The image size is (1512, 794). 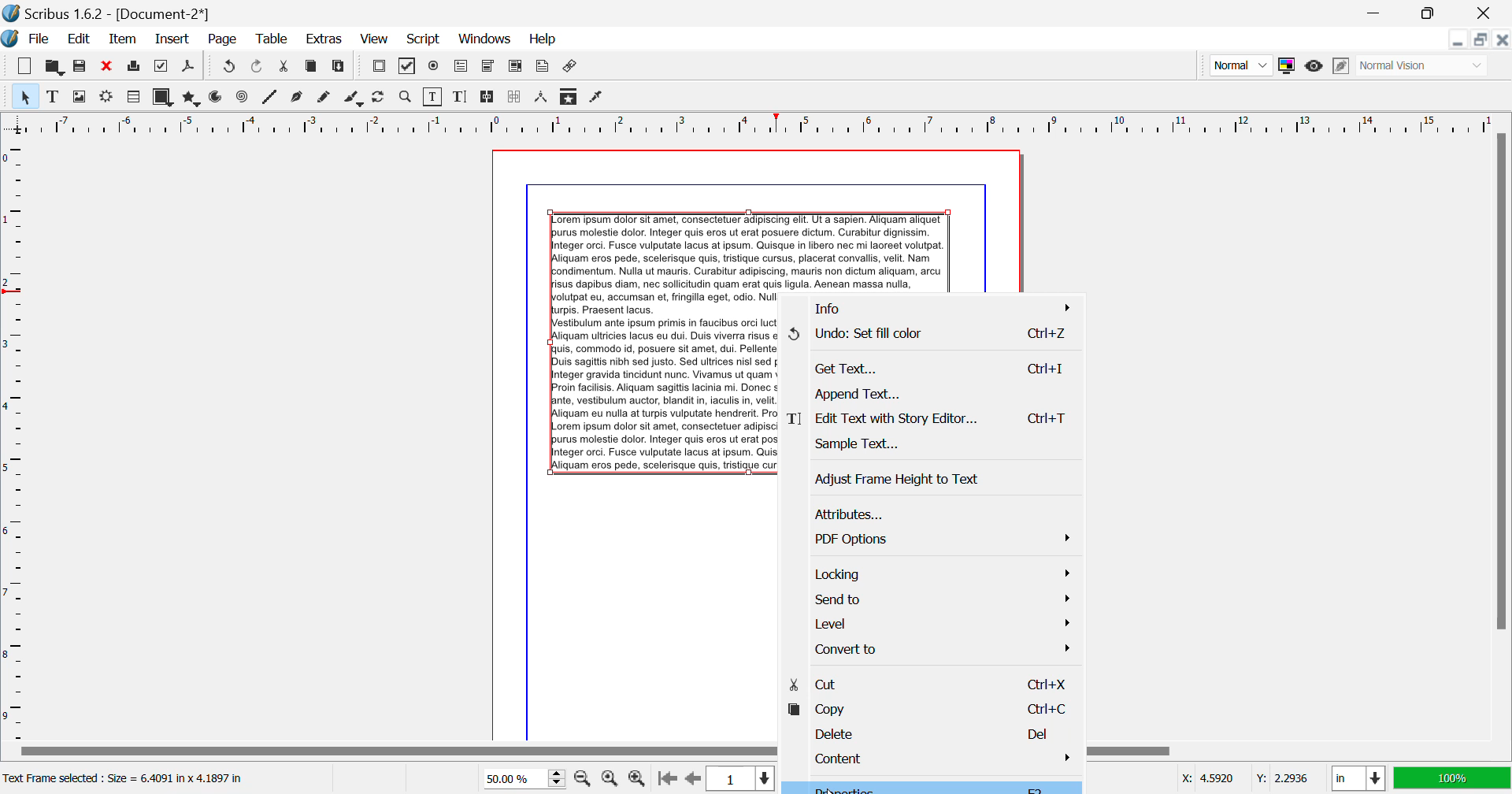 I want to click on View, so click(x=373, y=39).